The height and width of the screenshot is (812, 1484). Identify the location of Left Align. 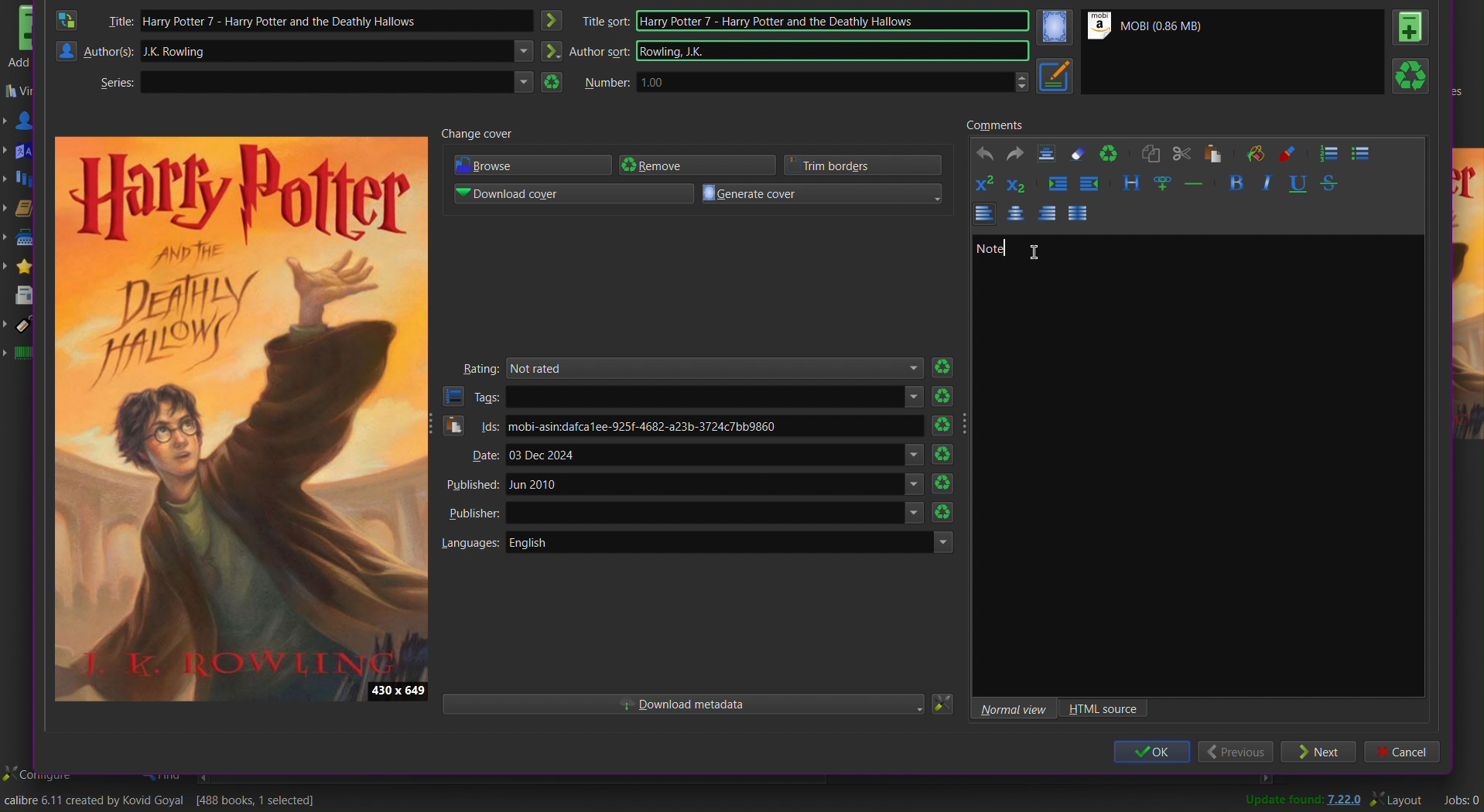
(1045, 214).